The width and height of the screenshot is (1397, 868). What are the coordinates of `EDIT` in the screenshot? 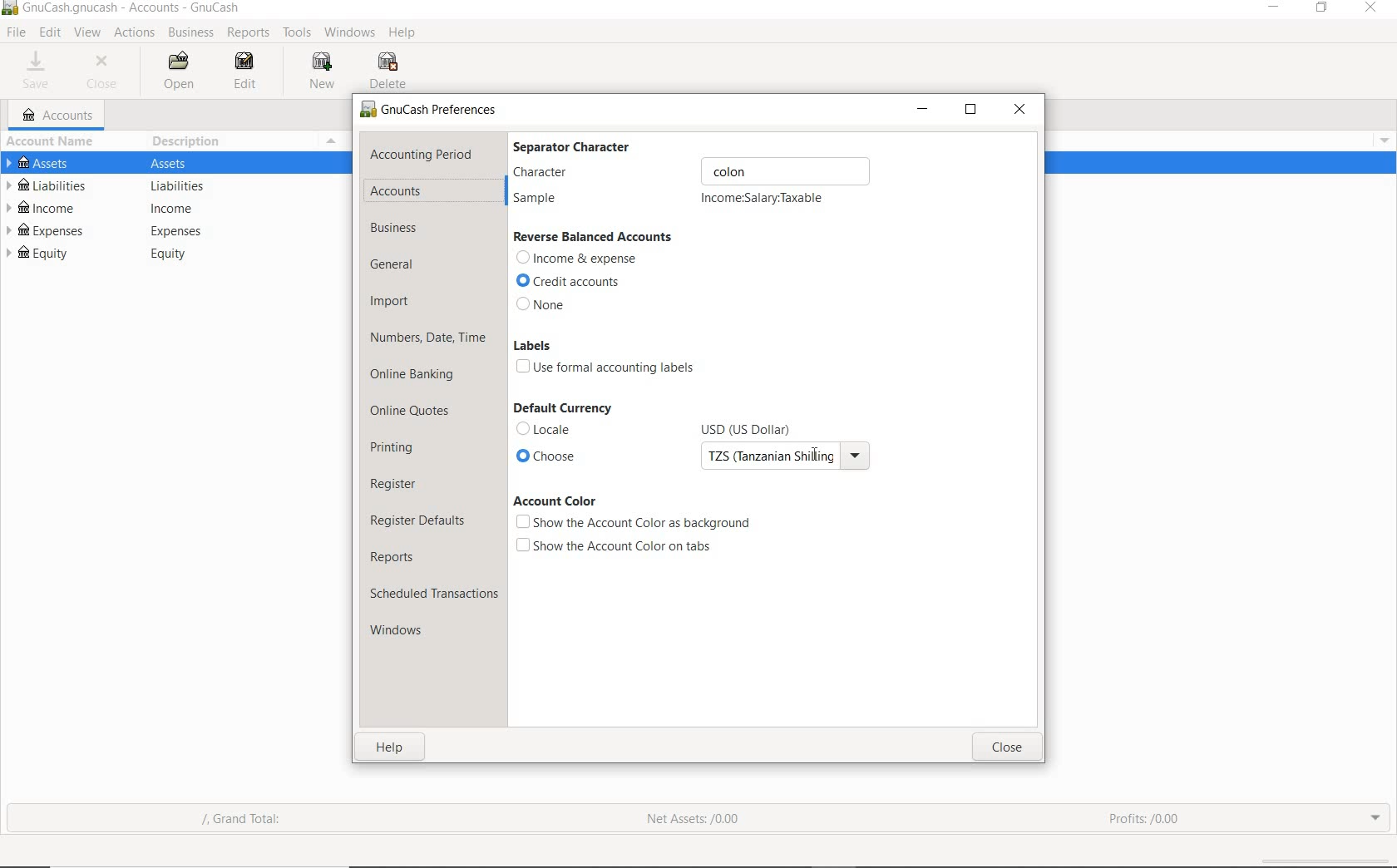 It's located at (244, 70).